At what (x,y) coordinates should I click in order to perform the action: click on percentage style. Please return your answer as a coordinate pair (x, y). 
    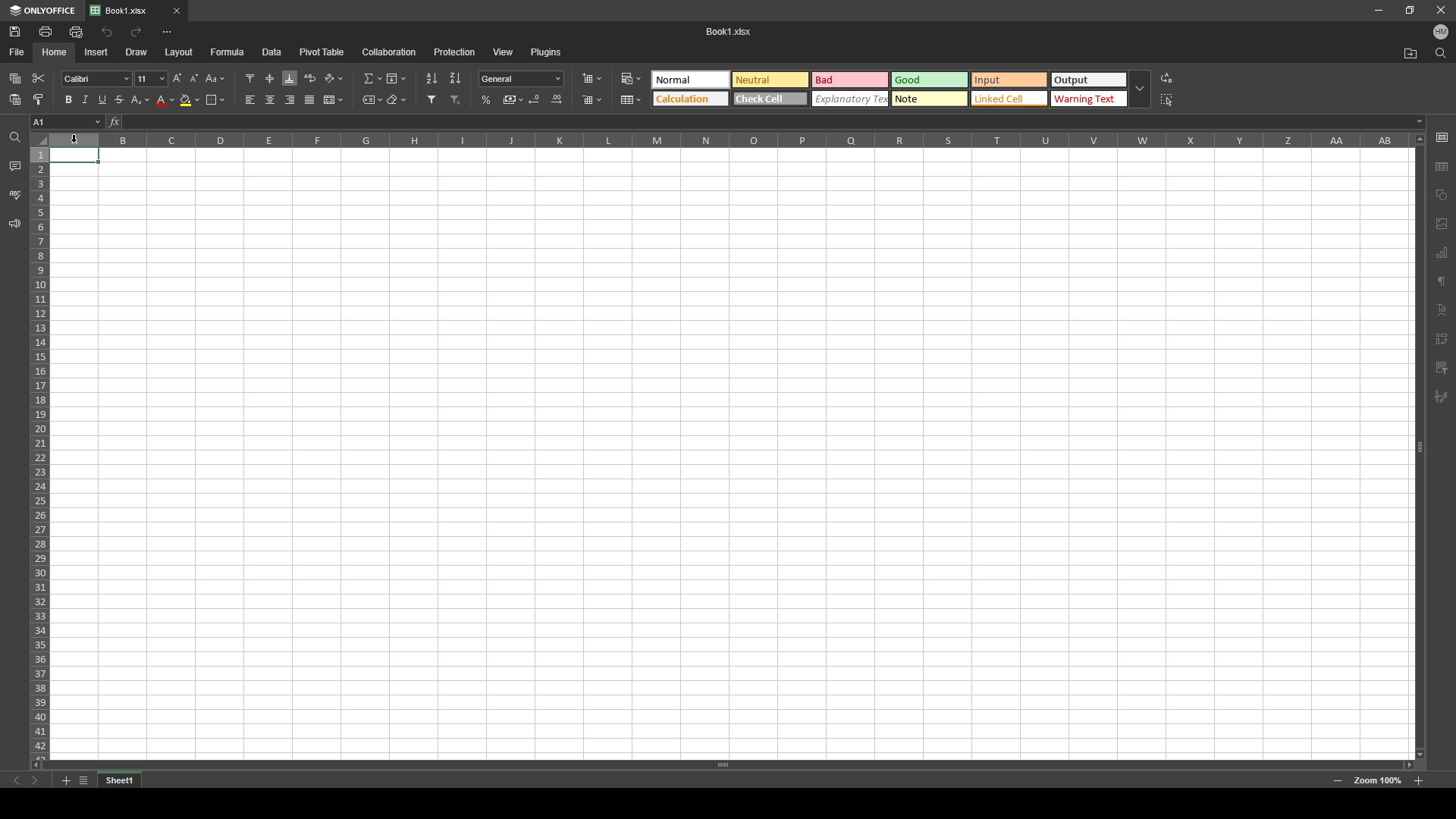
    Looking at the image, I should click on (486, 99).